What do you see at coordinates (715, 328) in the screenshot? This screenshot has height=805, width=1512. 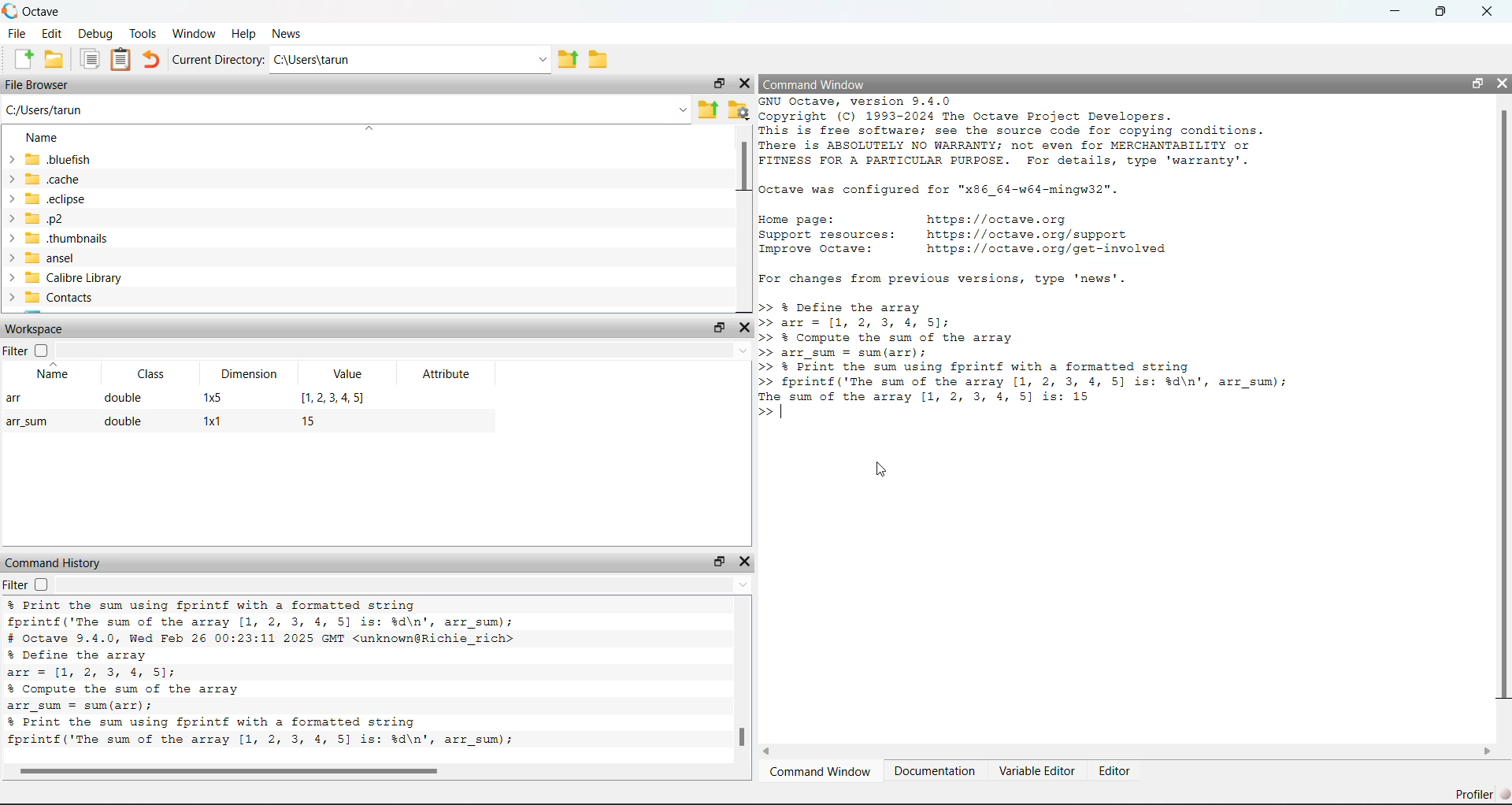 I see `Maximize` at bounding box center [715, 328].